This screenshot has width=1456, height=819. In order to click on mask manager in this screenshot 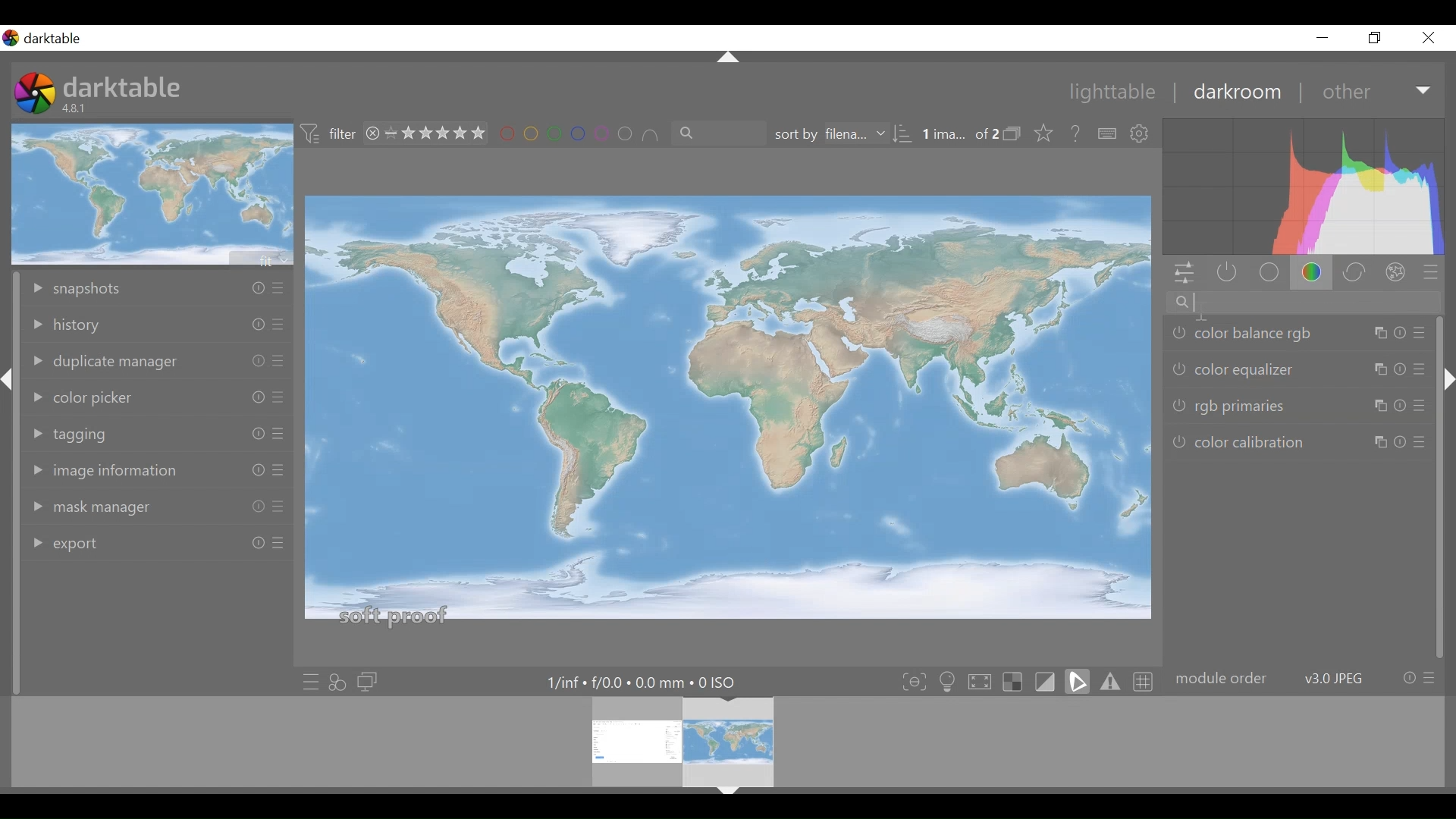, I will do `click(110, 508)`.